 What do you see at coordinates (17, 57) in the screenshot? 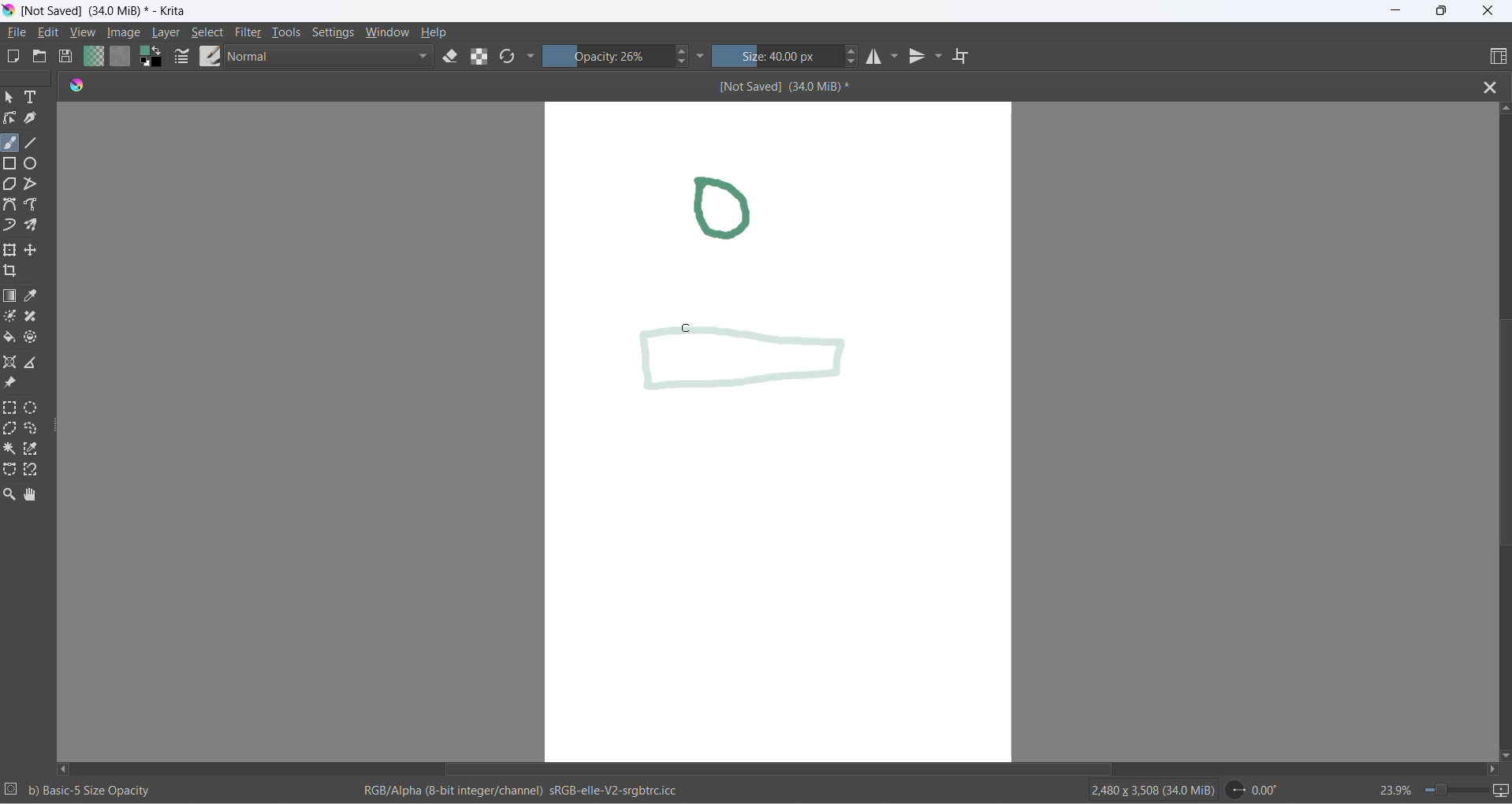
I see `new document` at bounding box center [17, 57].